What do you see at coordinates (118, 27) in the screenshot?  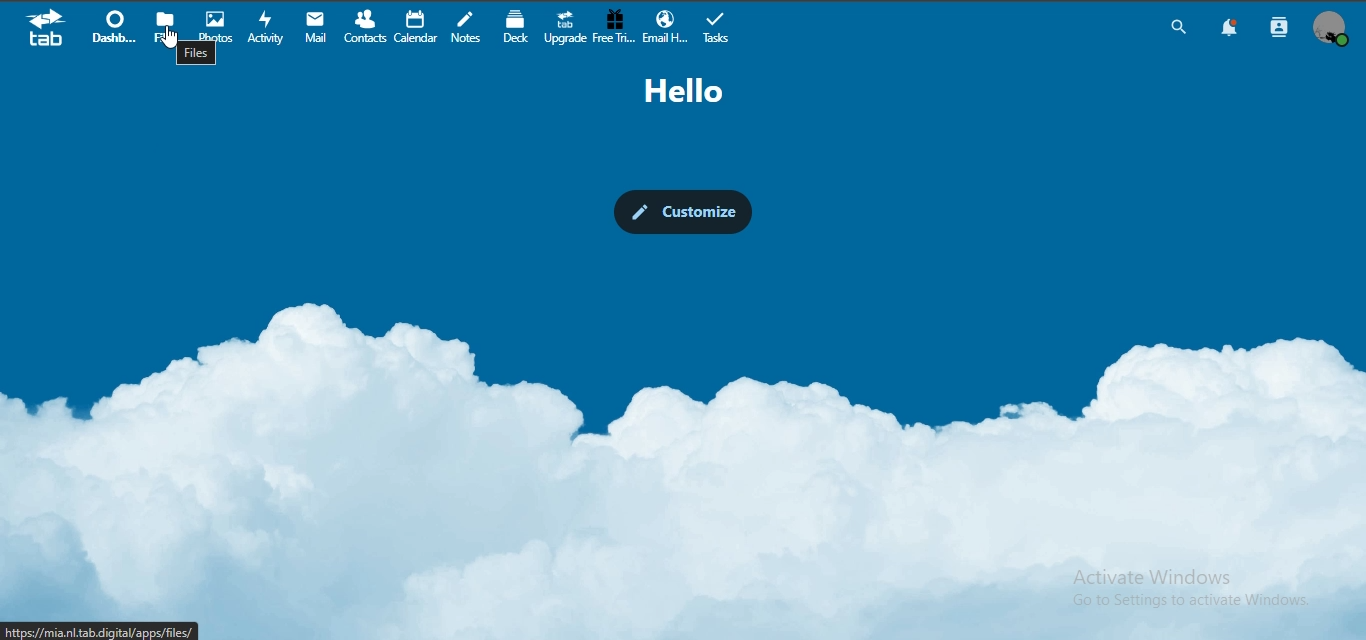 I see `dashboard` at bounding box center [118, 27].